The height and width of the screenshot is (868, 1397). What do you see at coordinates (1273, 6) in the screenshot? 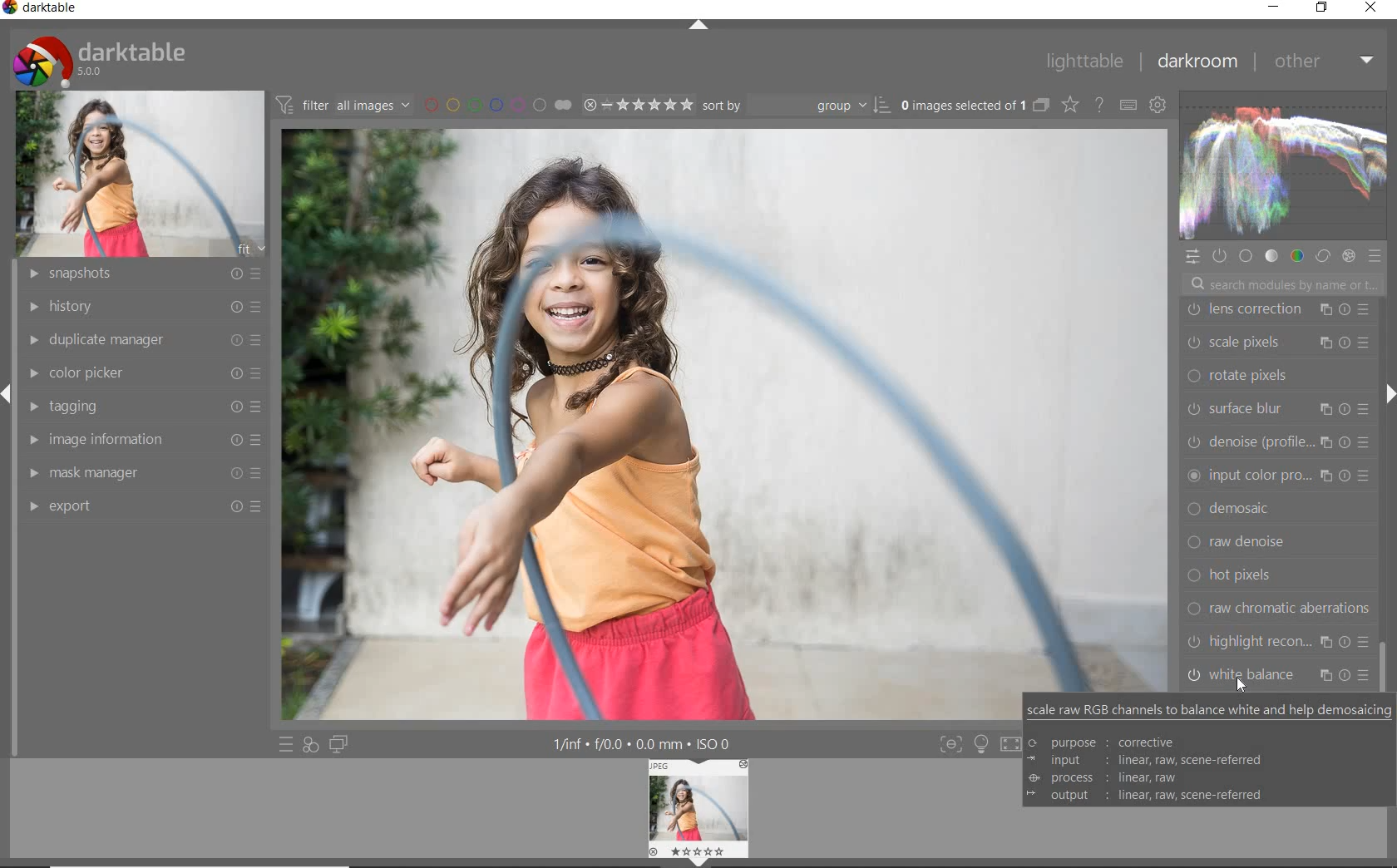
I see `minimize` at bounding box center [1273, 6].